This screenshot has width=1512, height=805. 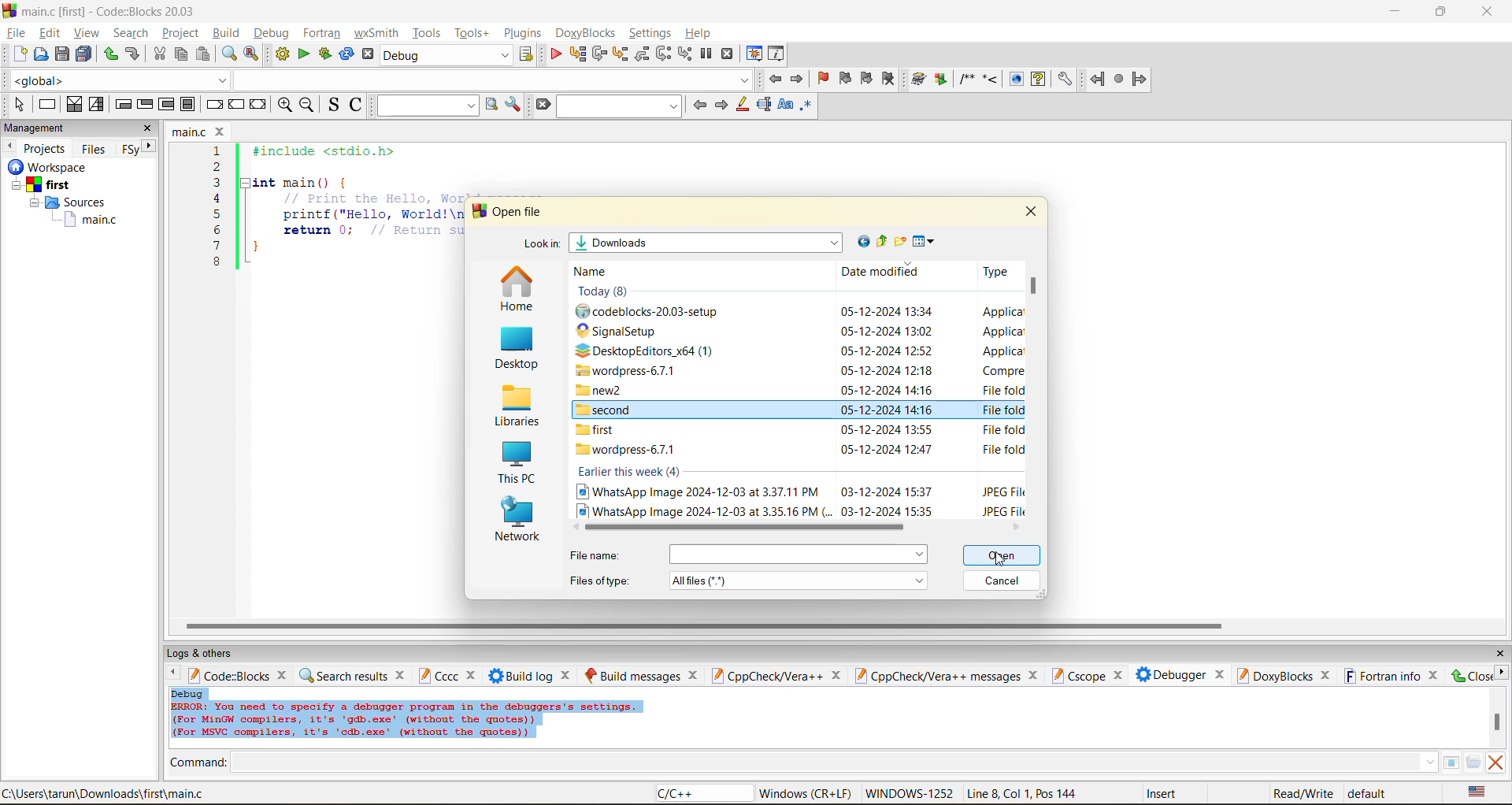 I want to click on date and time, so click(x=887, y=351).